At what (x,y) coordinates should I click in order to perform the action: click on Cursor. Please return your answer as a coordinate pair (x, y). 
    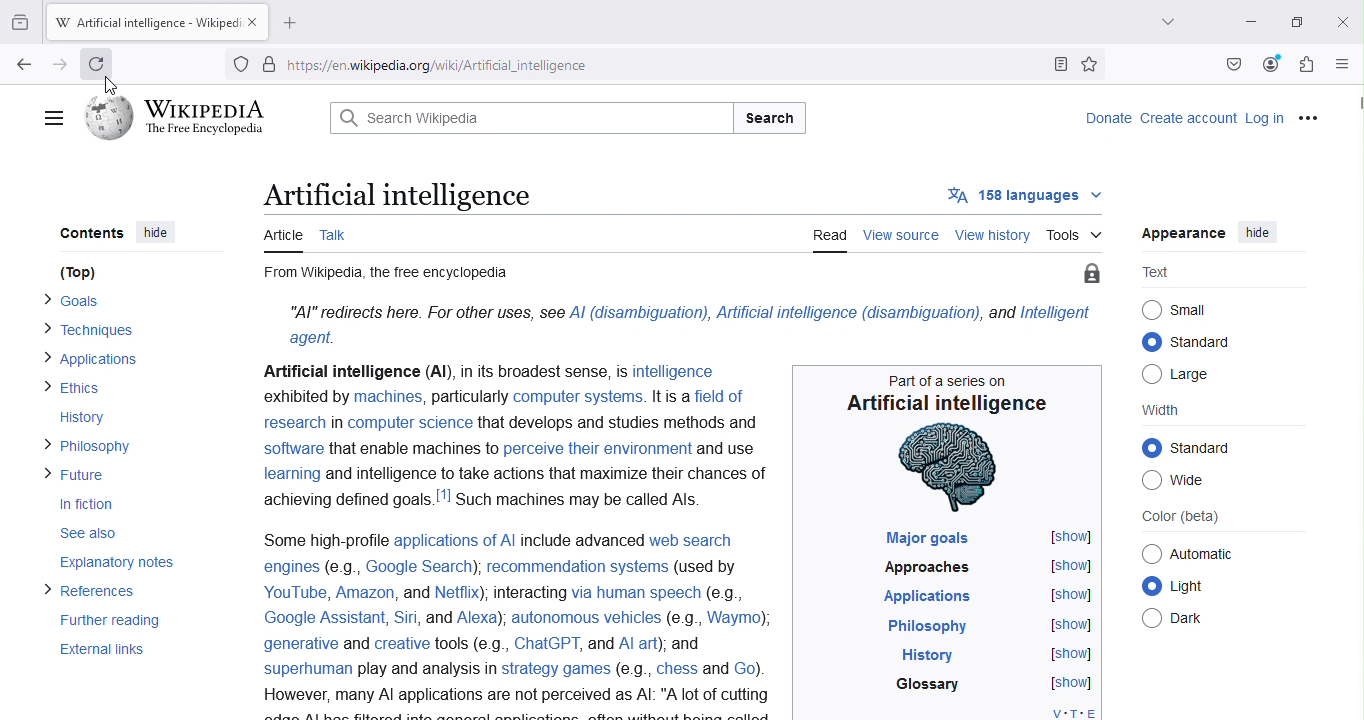
    Looking at the image, I should click on (108, 81).